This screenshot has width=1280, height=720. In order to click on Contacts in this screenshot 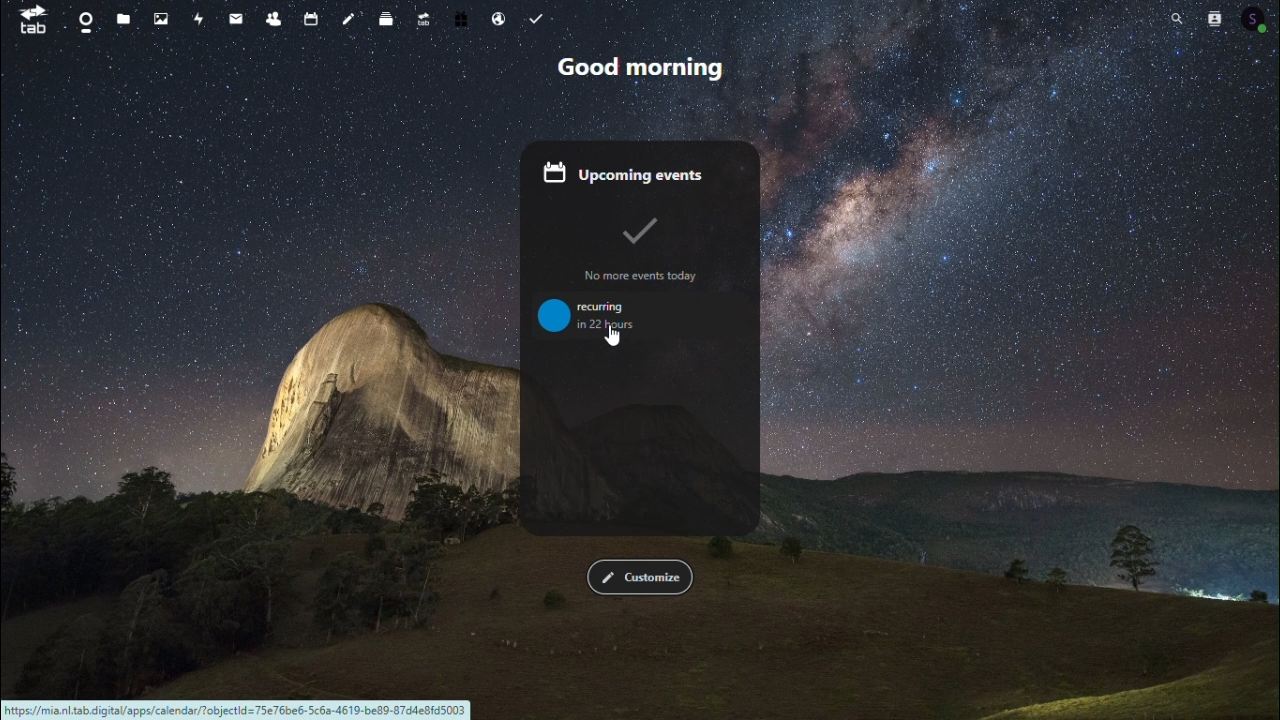, I will do `click(1211, 17)`.